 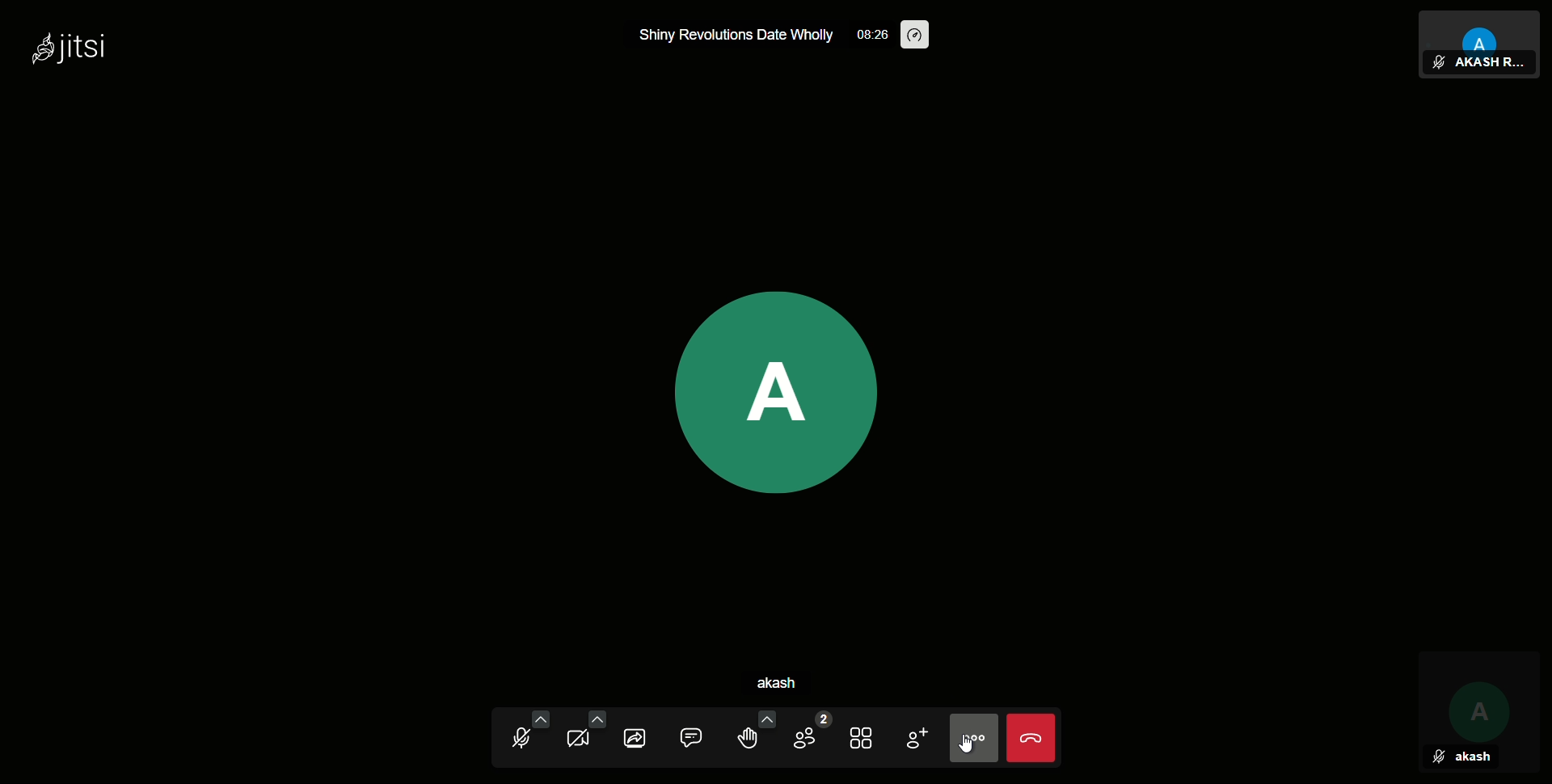 I want to click on name, so click(x=1474, y=757).